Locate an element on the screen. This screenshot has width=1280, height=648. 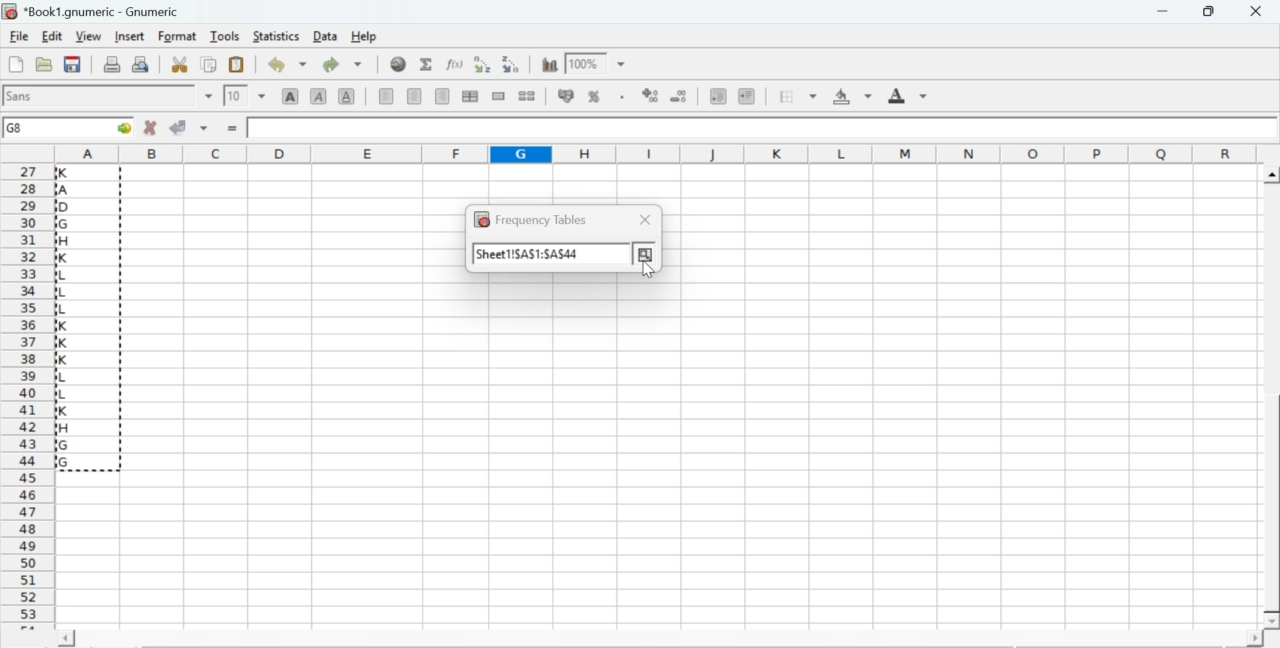
font is located at coordinates (22, 95).